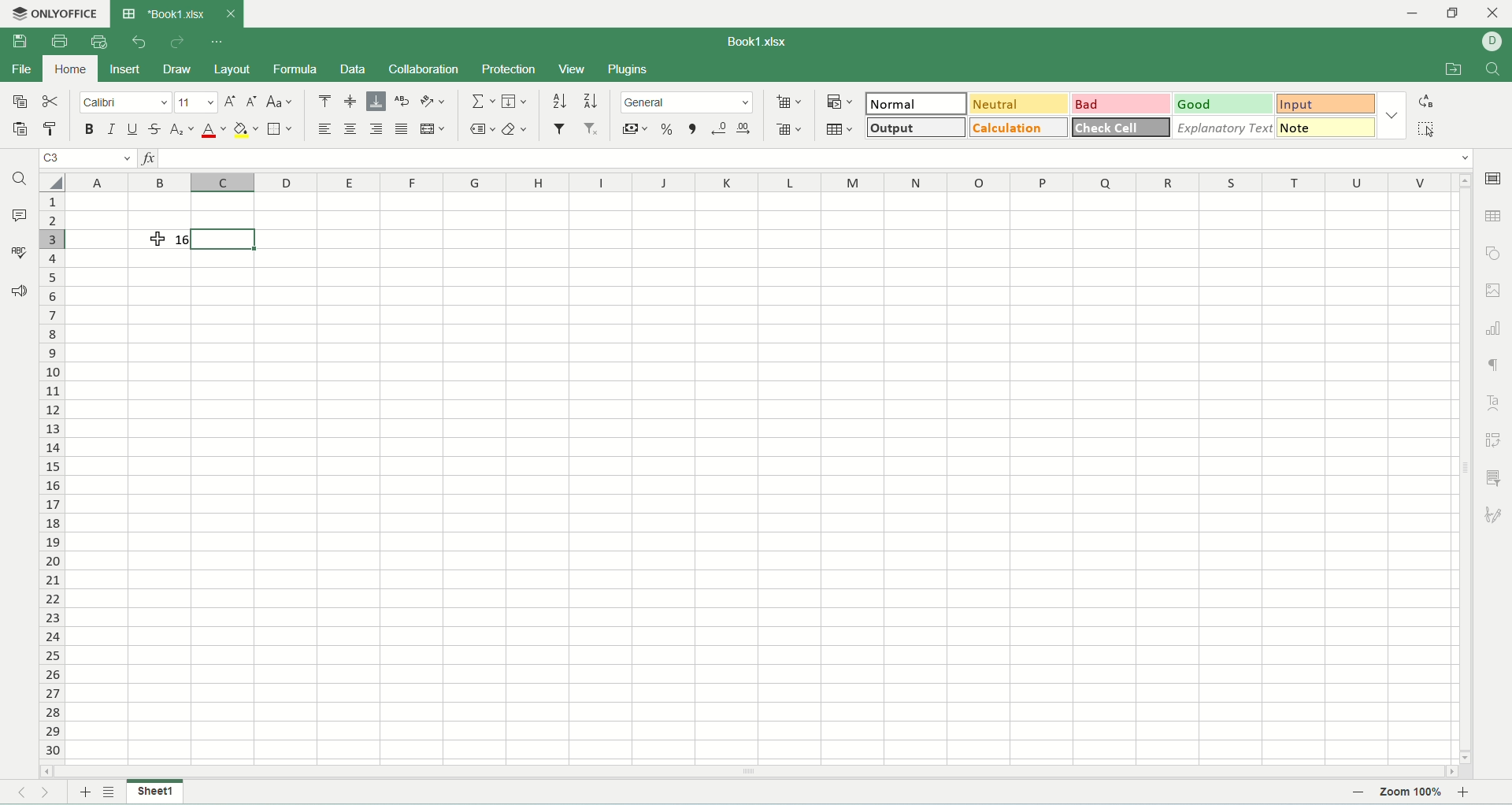 This screenshot has width=1512, height=805. What do you see at coordinates (1491, 402) in the screenshot?
I see `text art ` at bounding box center [1491, 402].